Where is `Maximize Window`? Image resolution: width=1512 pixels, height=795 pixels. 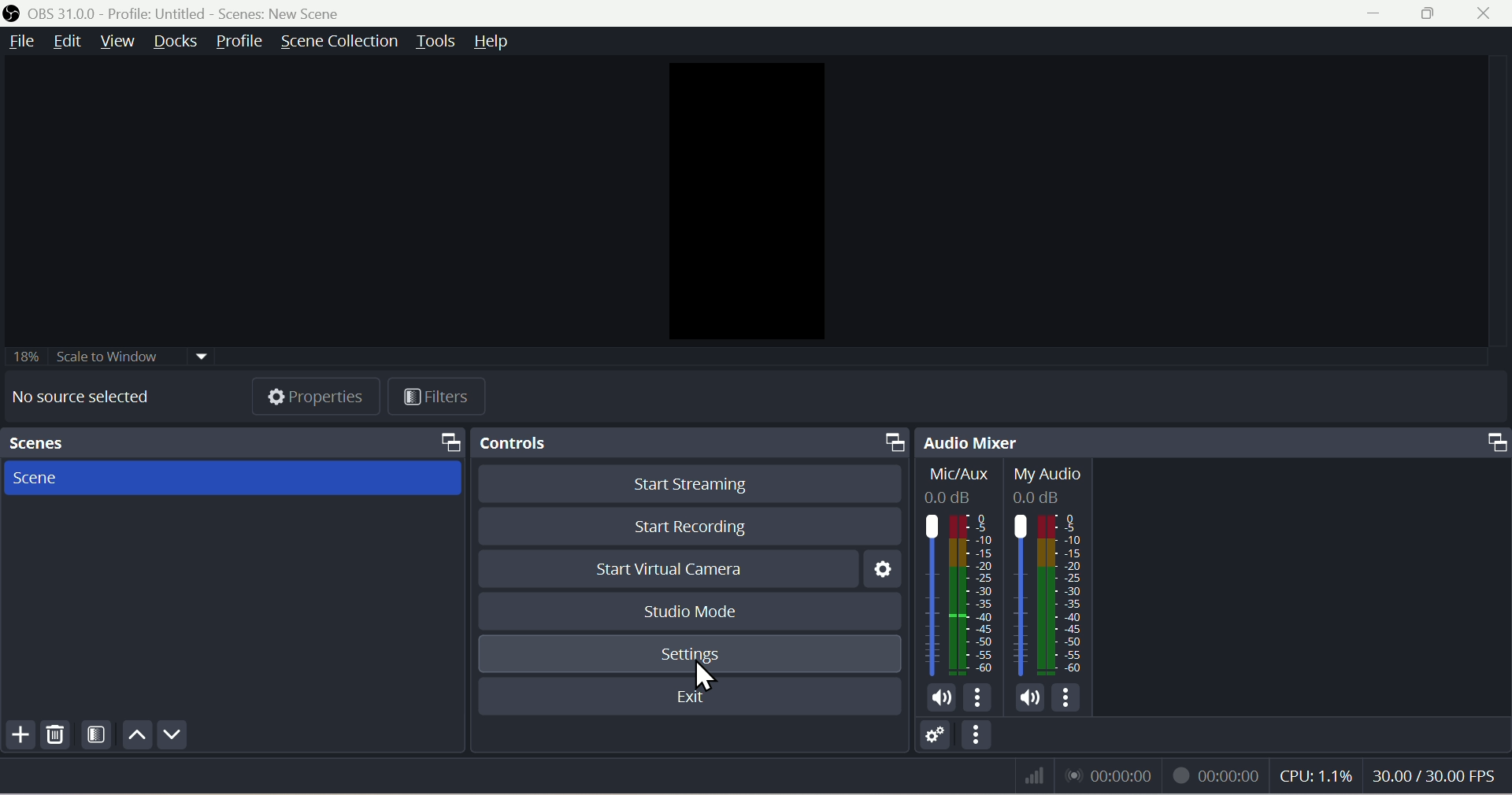 Maximize Window is located at coordinates (1492, 444).